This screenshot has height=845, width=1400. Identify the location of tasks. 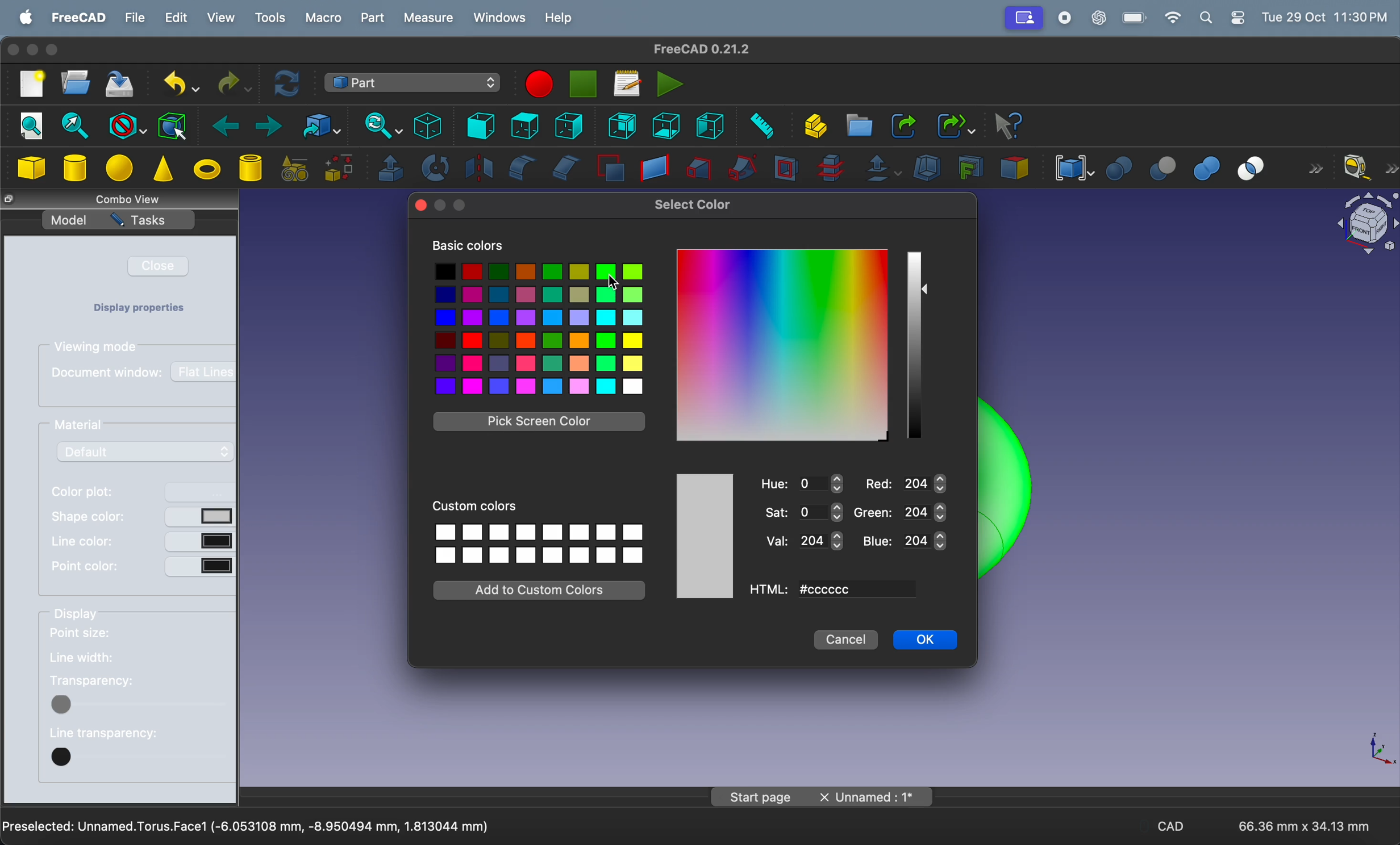
(147, 221).